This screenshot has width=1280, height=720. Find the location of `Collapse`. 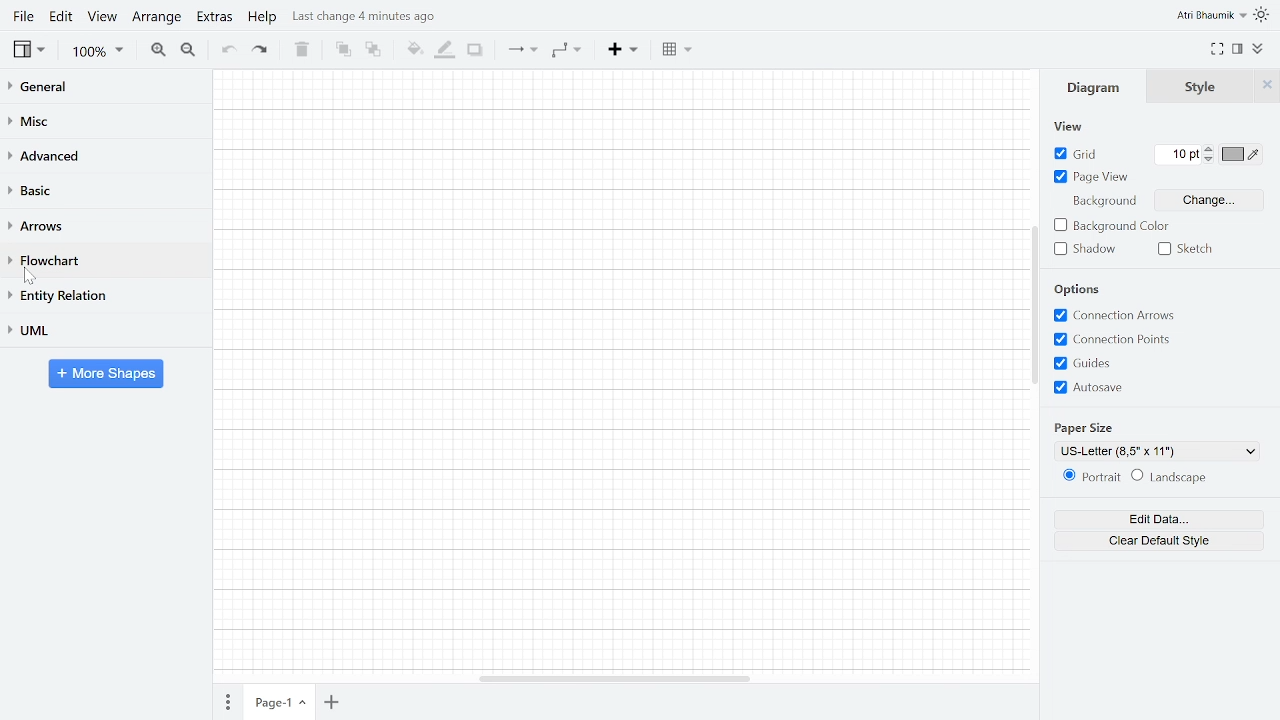

Collapse is located at coordinates (1259, 49).